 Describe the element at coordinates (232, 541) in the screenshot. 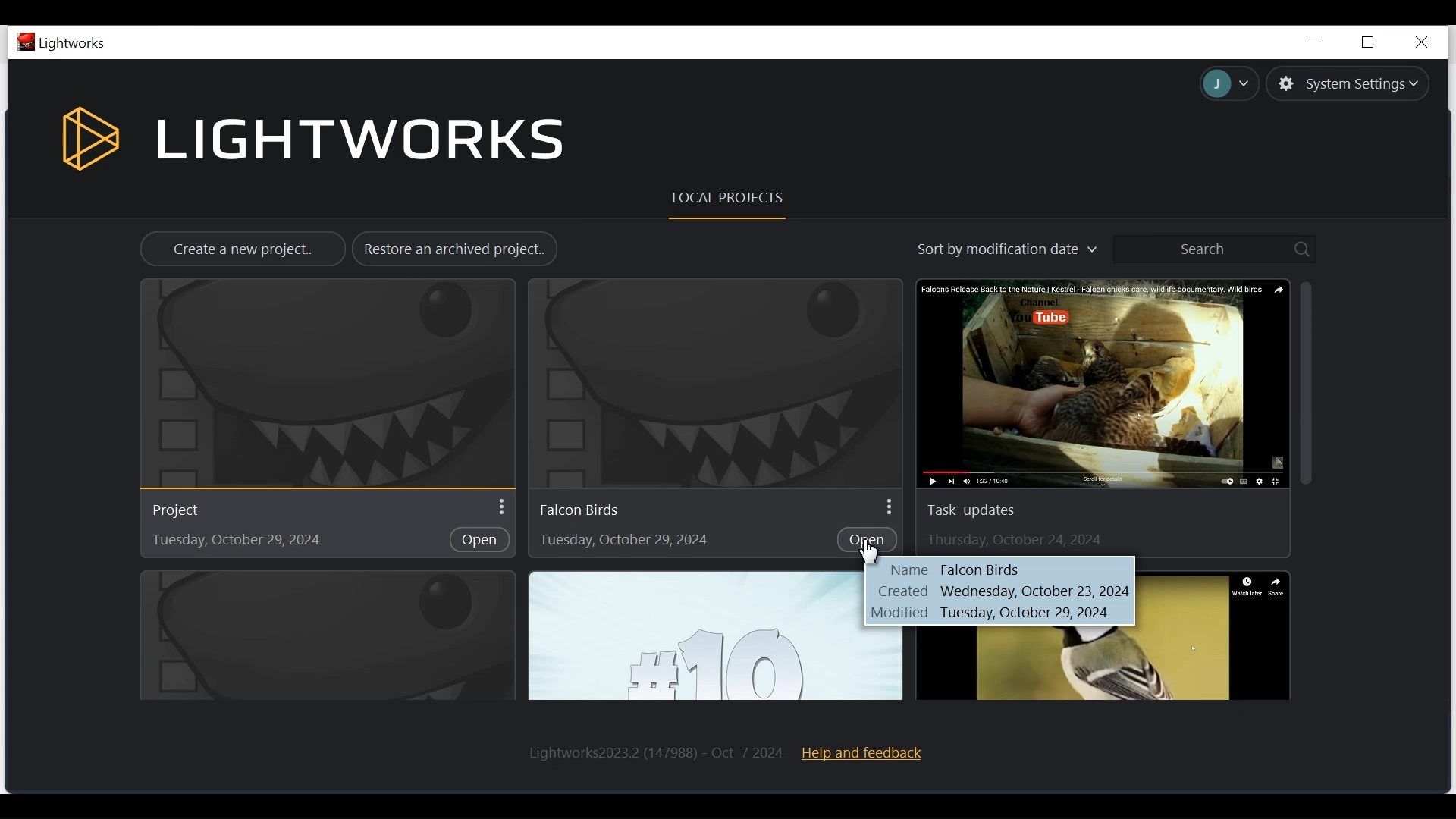

I see `Tuesday` at that location.